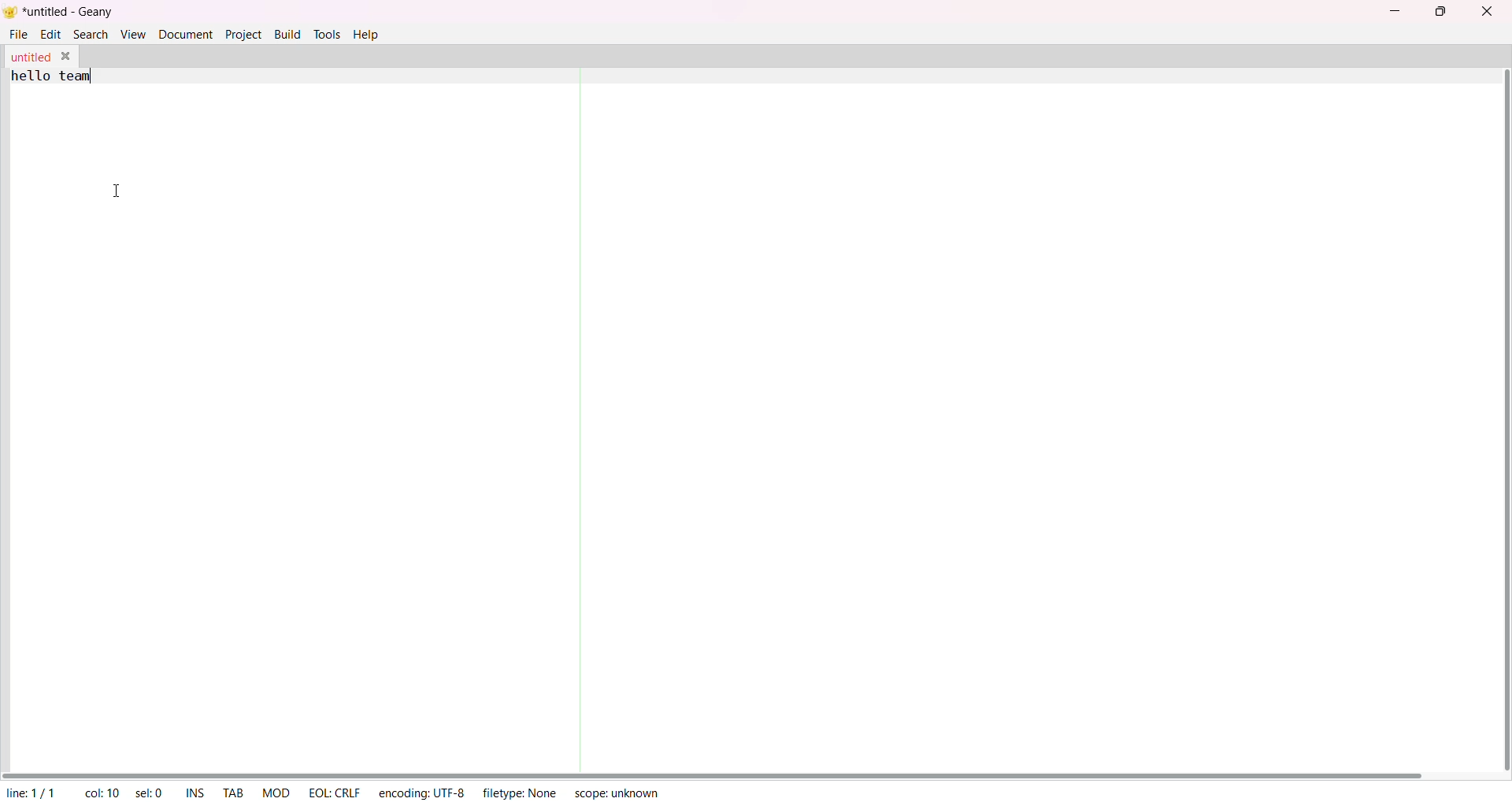  What do you see at coordinates (743, 425) in the screenshot?
I see `text area` at bounding box center [743, 425].